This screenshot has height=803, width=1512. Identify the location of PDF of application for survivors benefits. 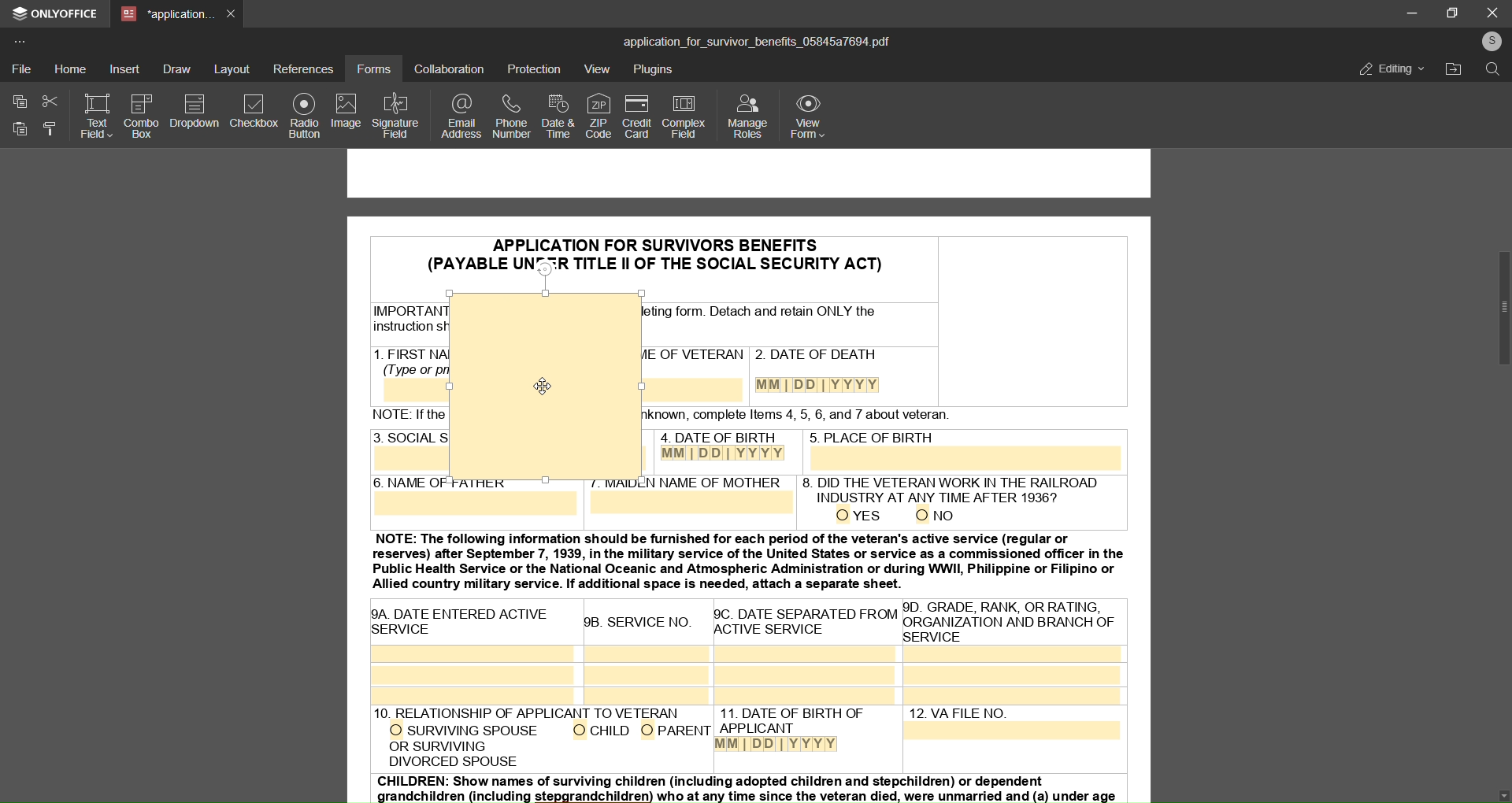
(395, 330).